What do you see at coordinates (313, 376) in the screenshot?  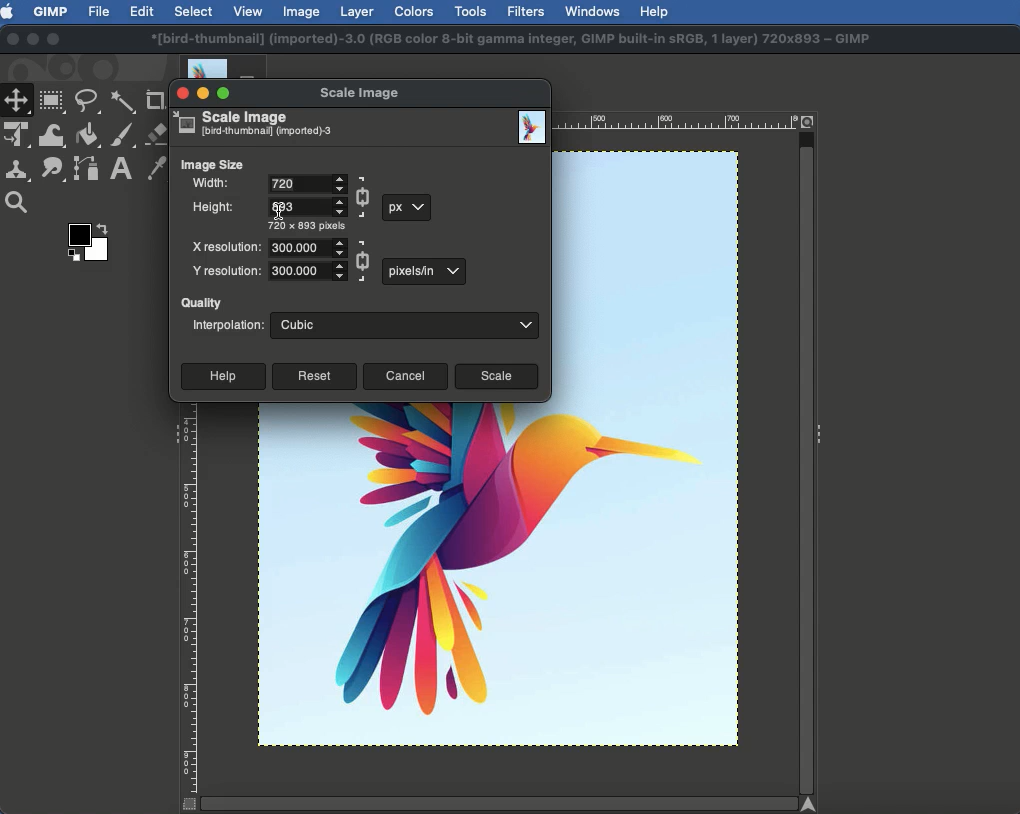 I see `Reset` at bounding box center [313, 376].